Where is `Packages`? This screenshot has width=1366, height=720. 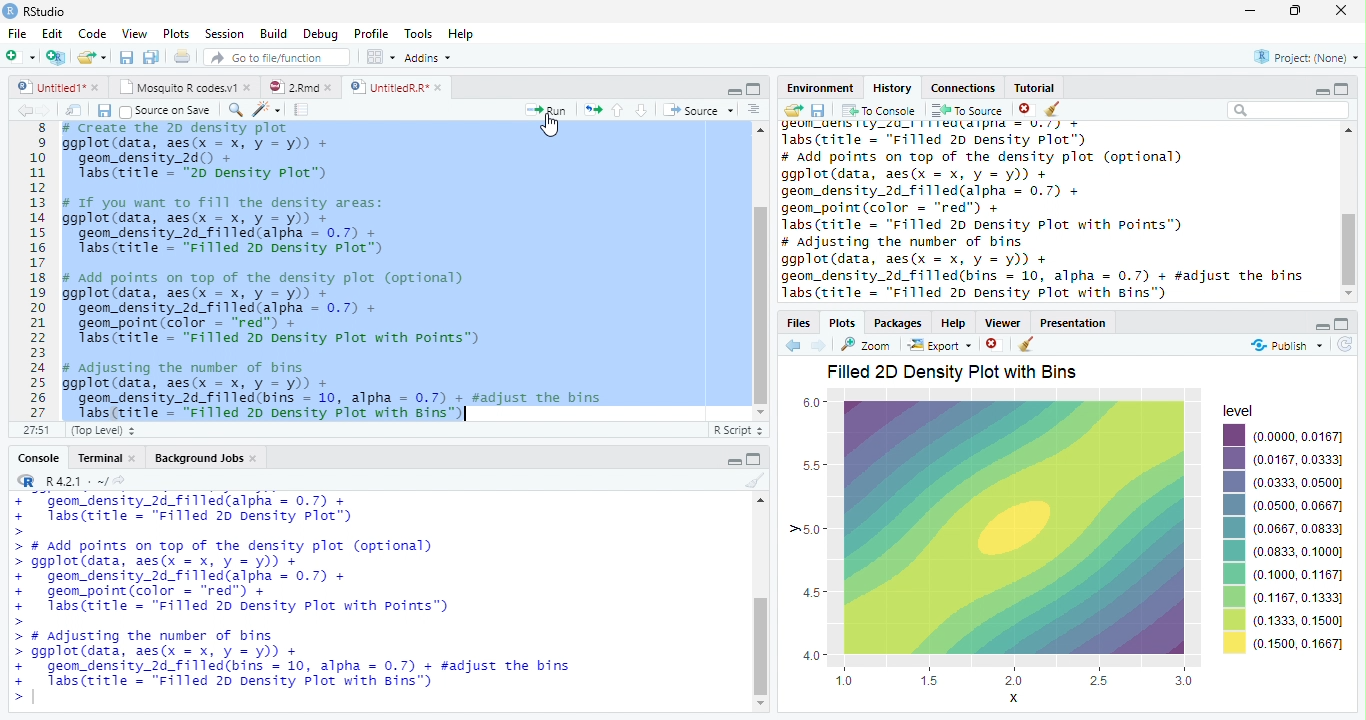 Packages is located at coordinates (897, 325).